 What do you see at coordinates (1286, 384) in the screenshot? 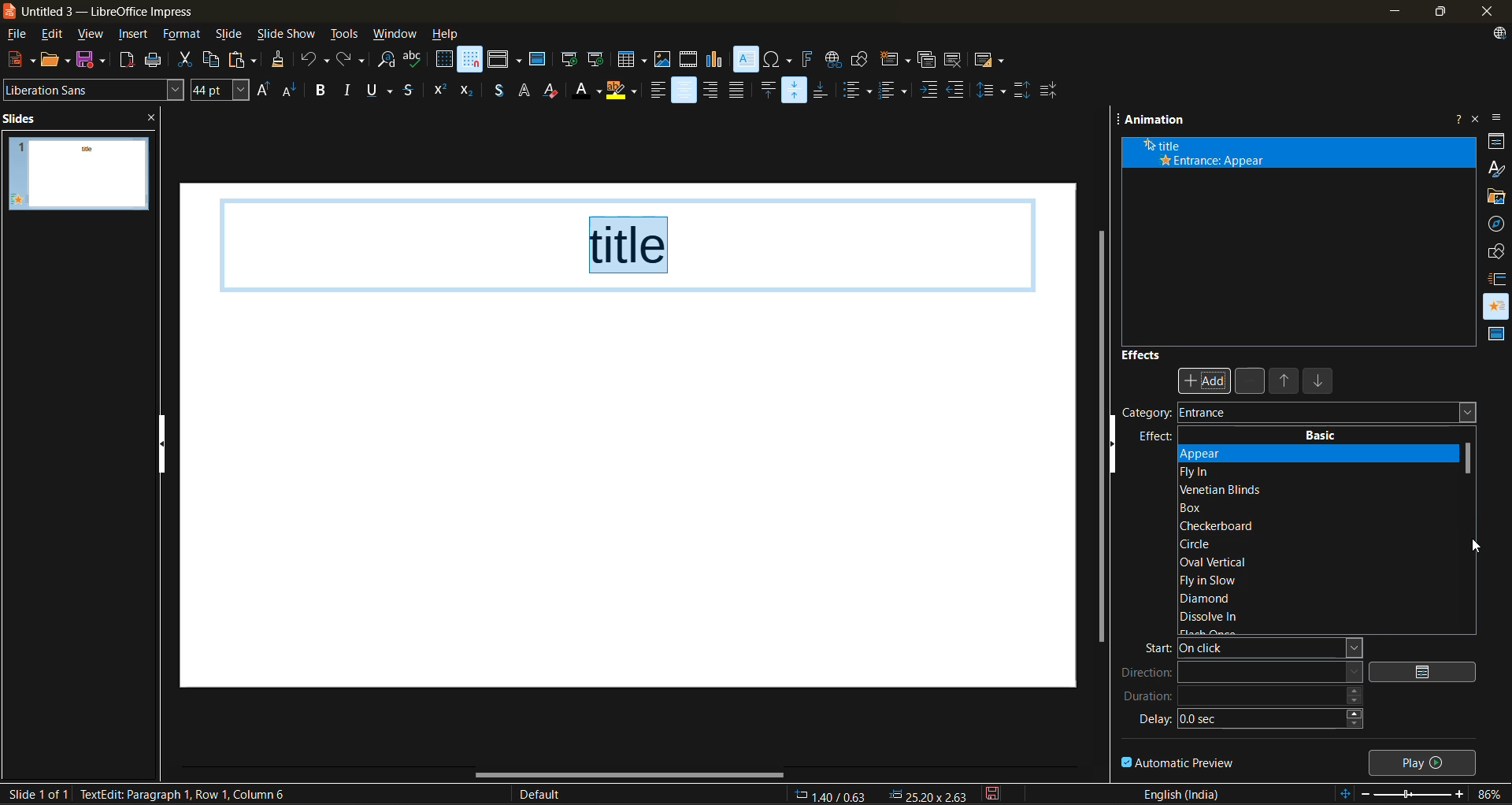
I see `move up` at bounding box center [1286, 384].